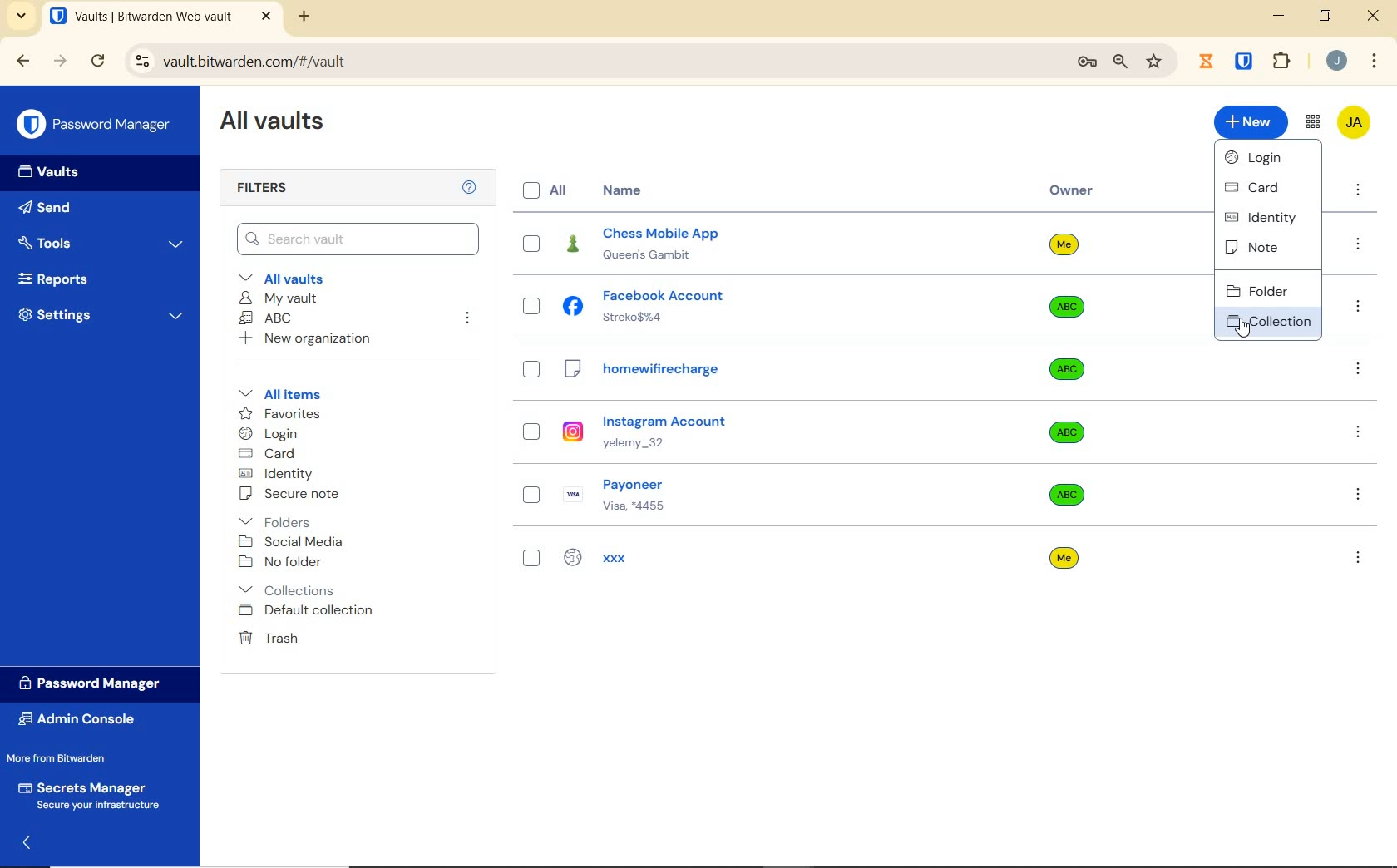 This screenshot has height=868, width=1397. I want to click on login, so click(1264, 157).